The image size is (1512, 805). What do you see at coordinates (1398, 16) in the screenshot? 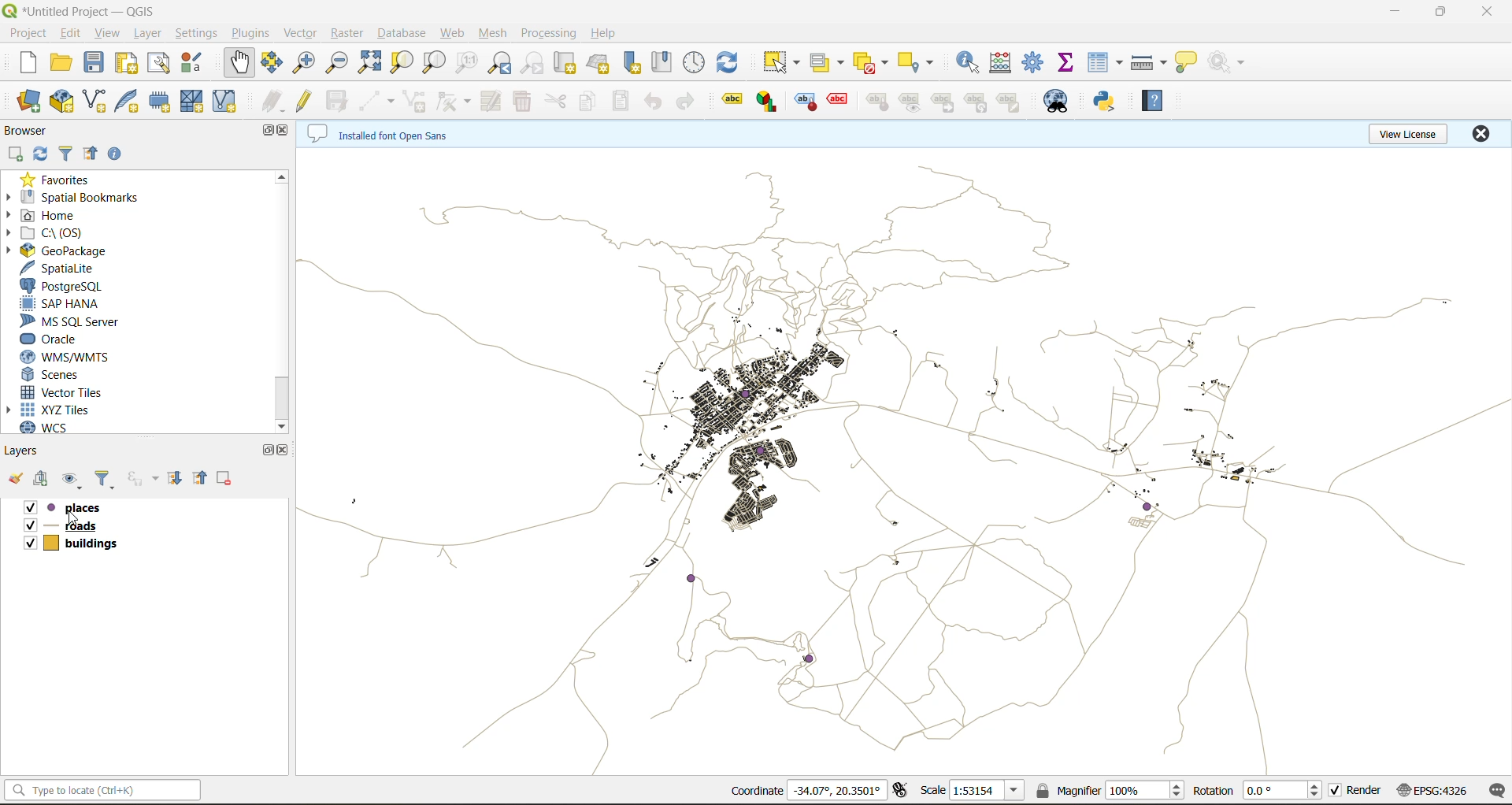
I see `minimize` at bounding box center [1398, 16].